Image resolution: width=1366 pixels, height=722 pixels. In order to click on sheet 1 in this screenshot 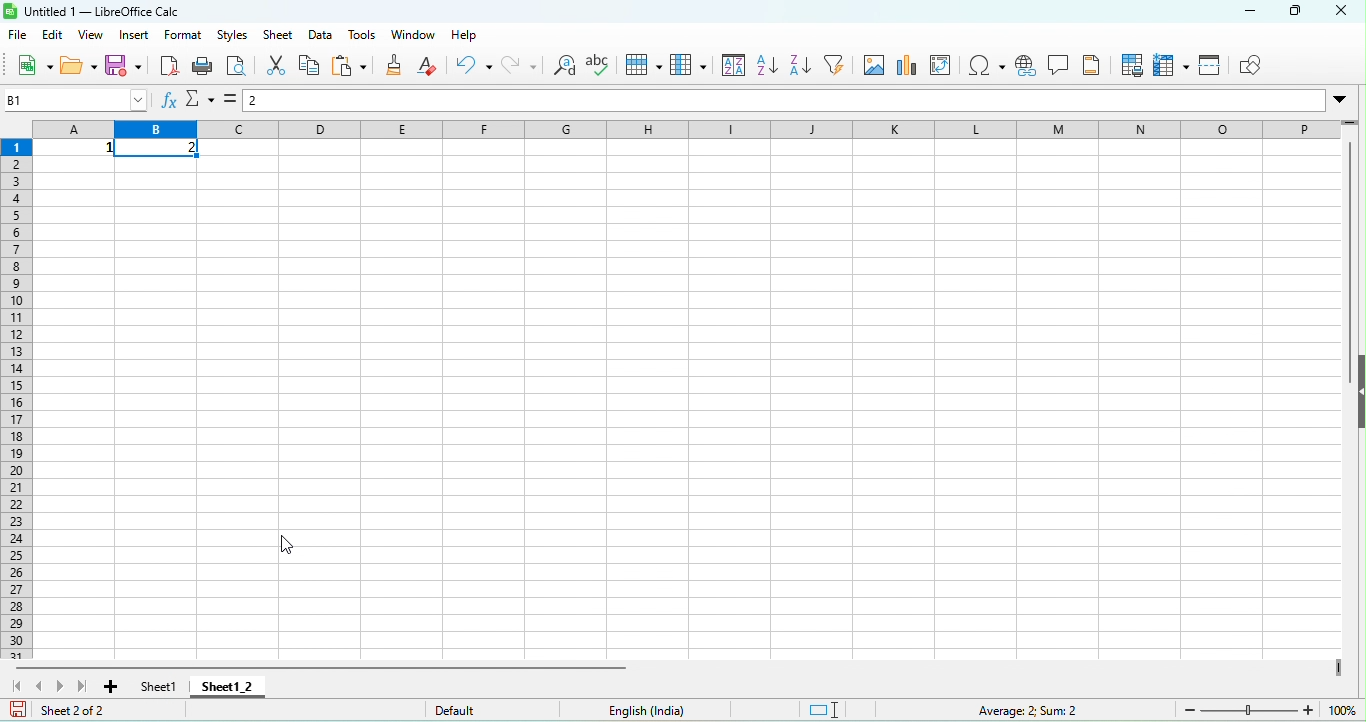, I will do `click(152, 686)`.